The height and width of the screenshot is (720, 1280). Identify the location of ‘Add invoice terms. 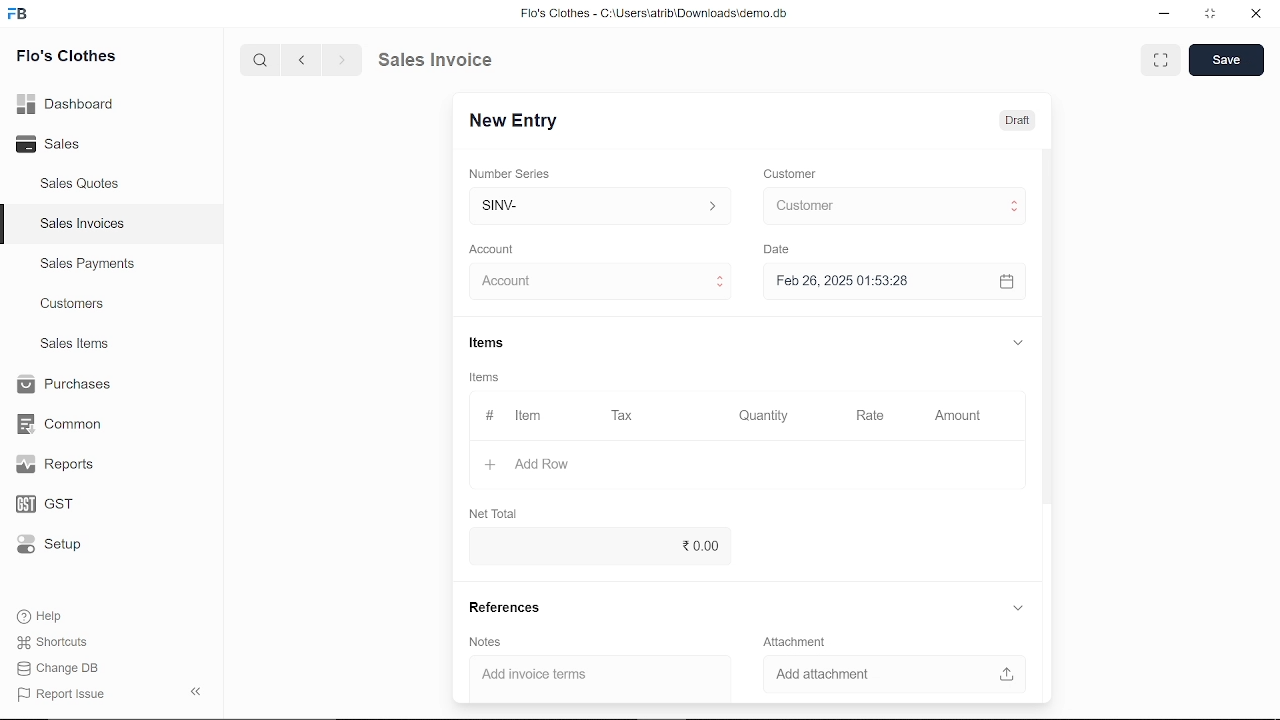
(584, 677).